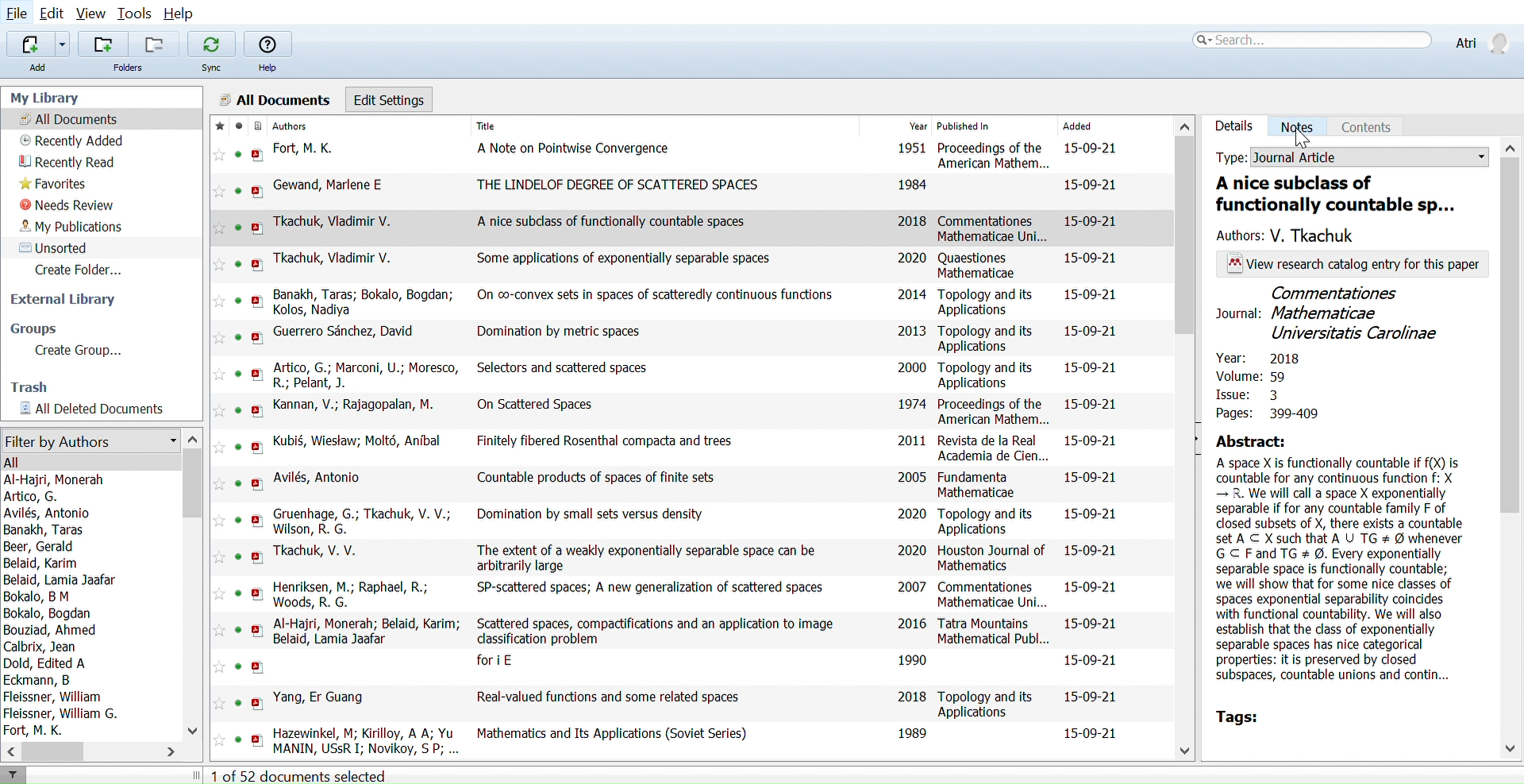 This screenshot has height=784, width=1524. Describe the element at coordinates (1510, 148) in the screenshot. I see `Move up in sidebar` at that location.